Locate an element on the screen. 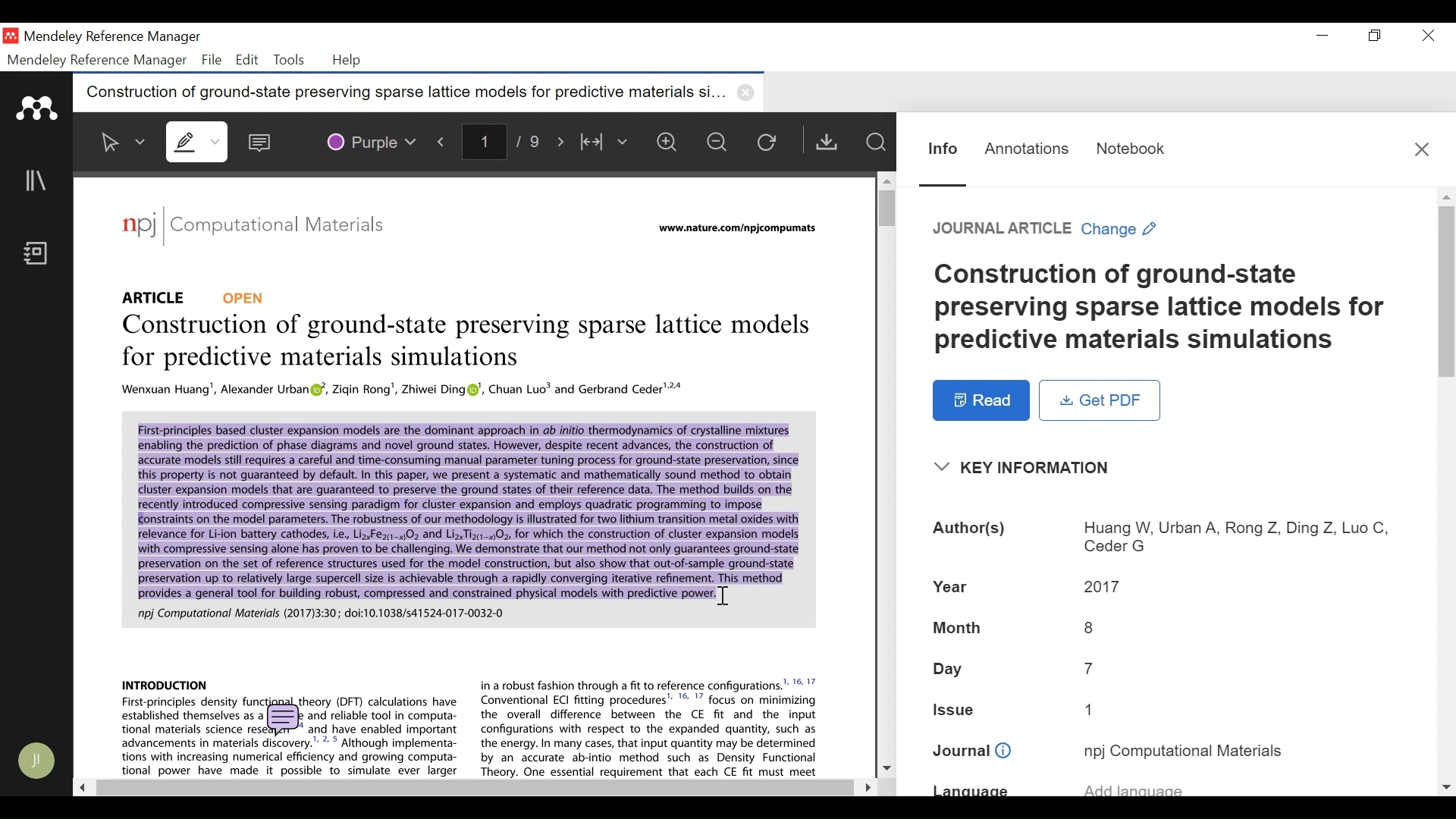  Mendeley Reference Manager is located at coordinates (111, 39).